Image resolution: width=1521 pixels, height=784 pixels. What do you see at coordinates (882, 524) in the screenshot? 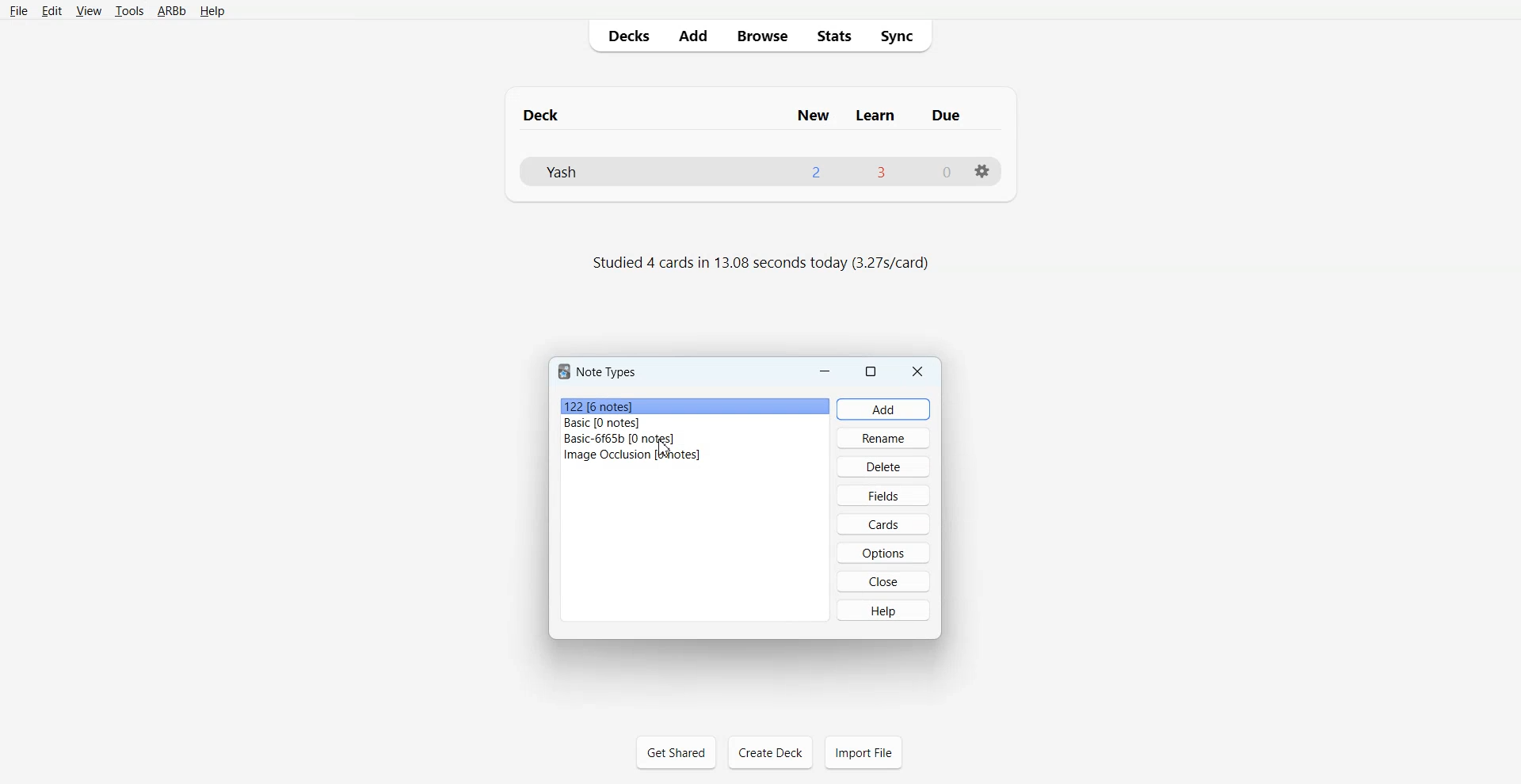
I see `Cards` at bounding box center [882, 524].